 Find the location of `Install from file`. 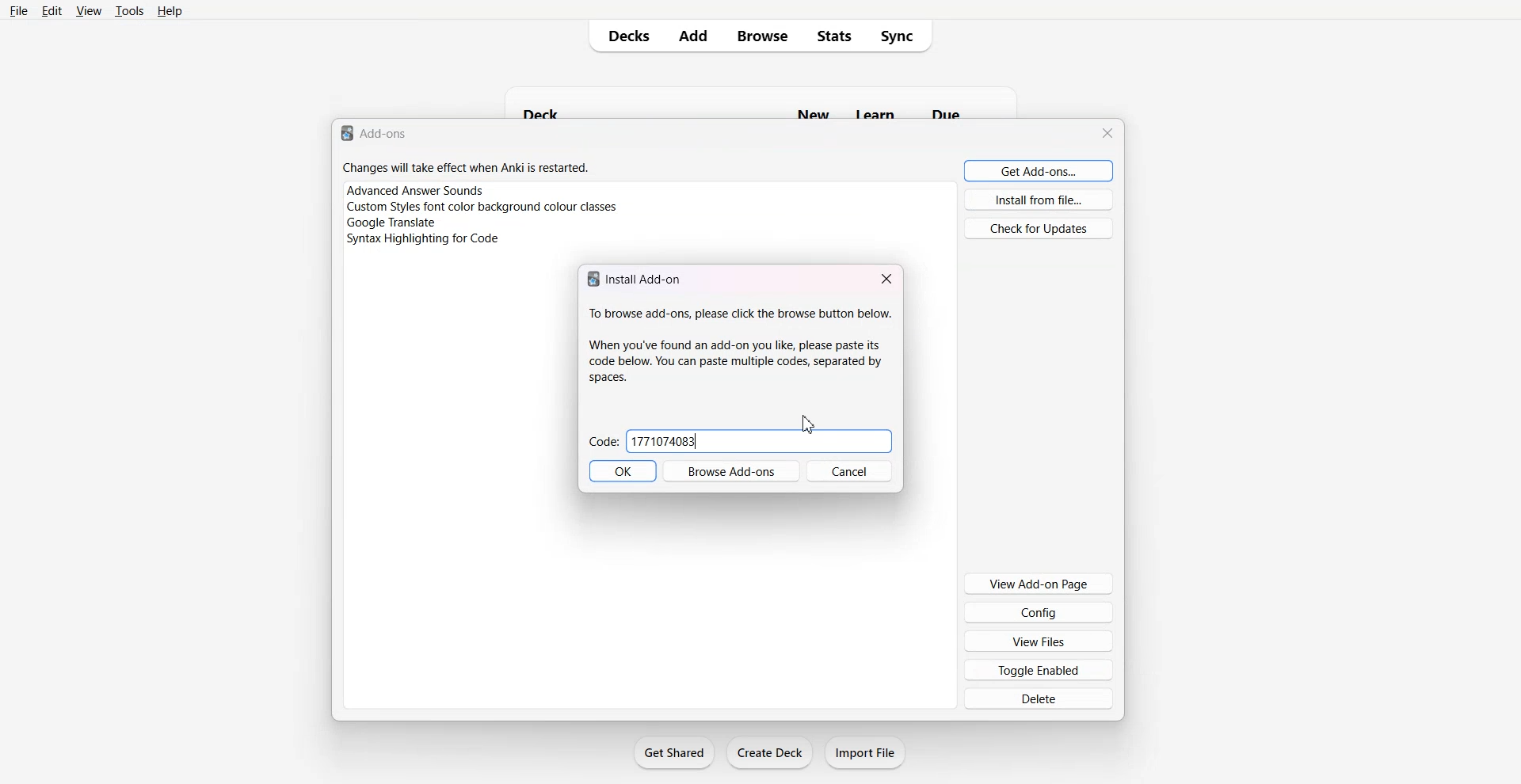

Install from file is located at coordinates (1039, 200).